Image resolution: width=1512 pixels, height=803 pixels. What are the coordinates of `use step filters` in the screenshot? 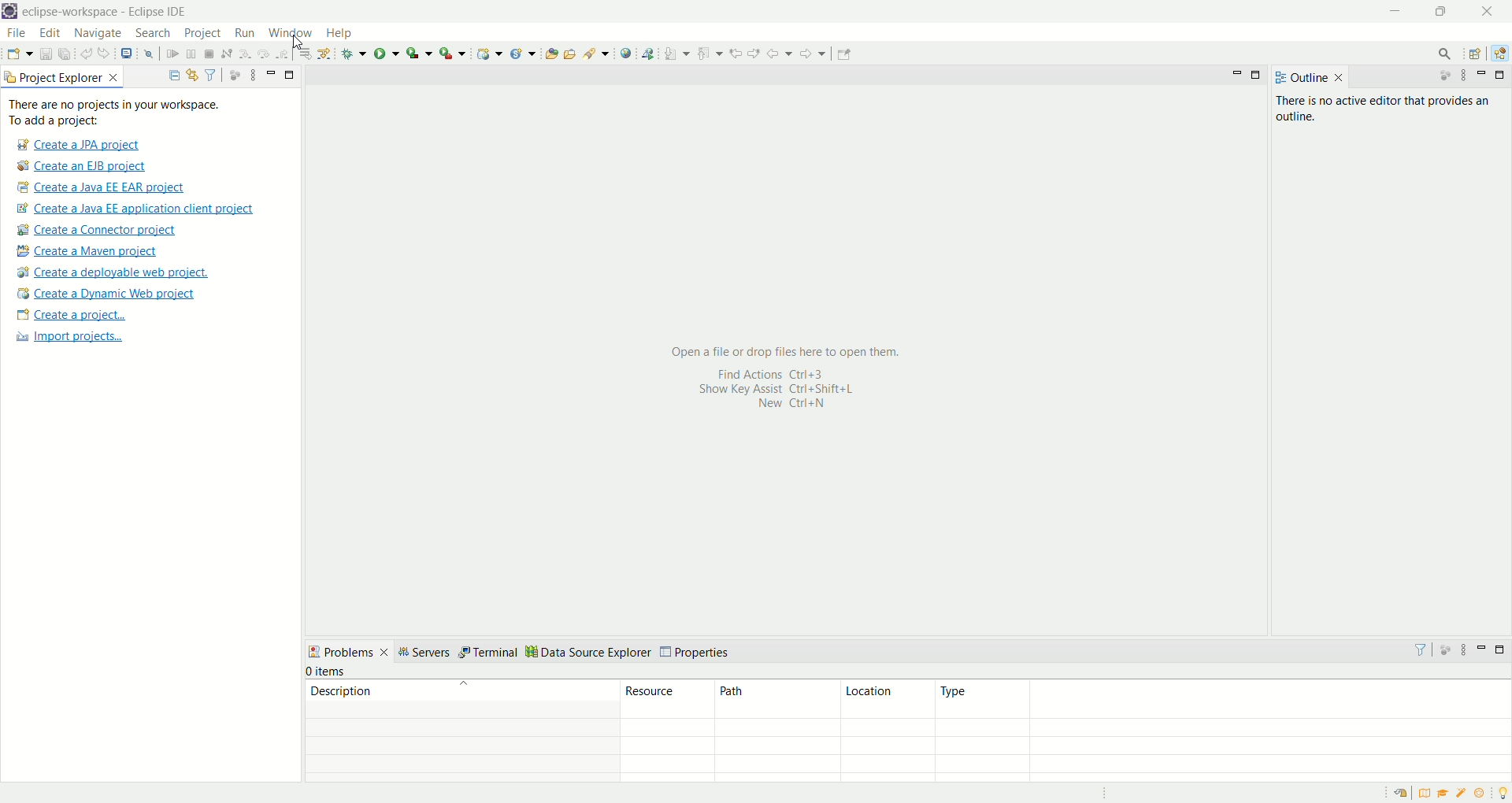 It's located at (325, 53).